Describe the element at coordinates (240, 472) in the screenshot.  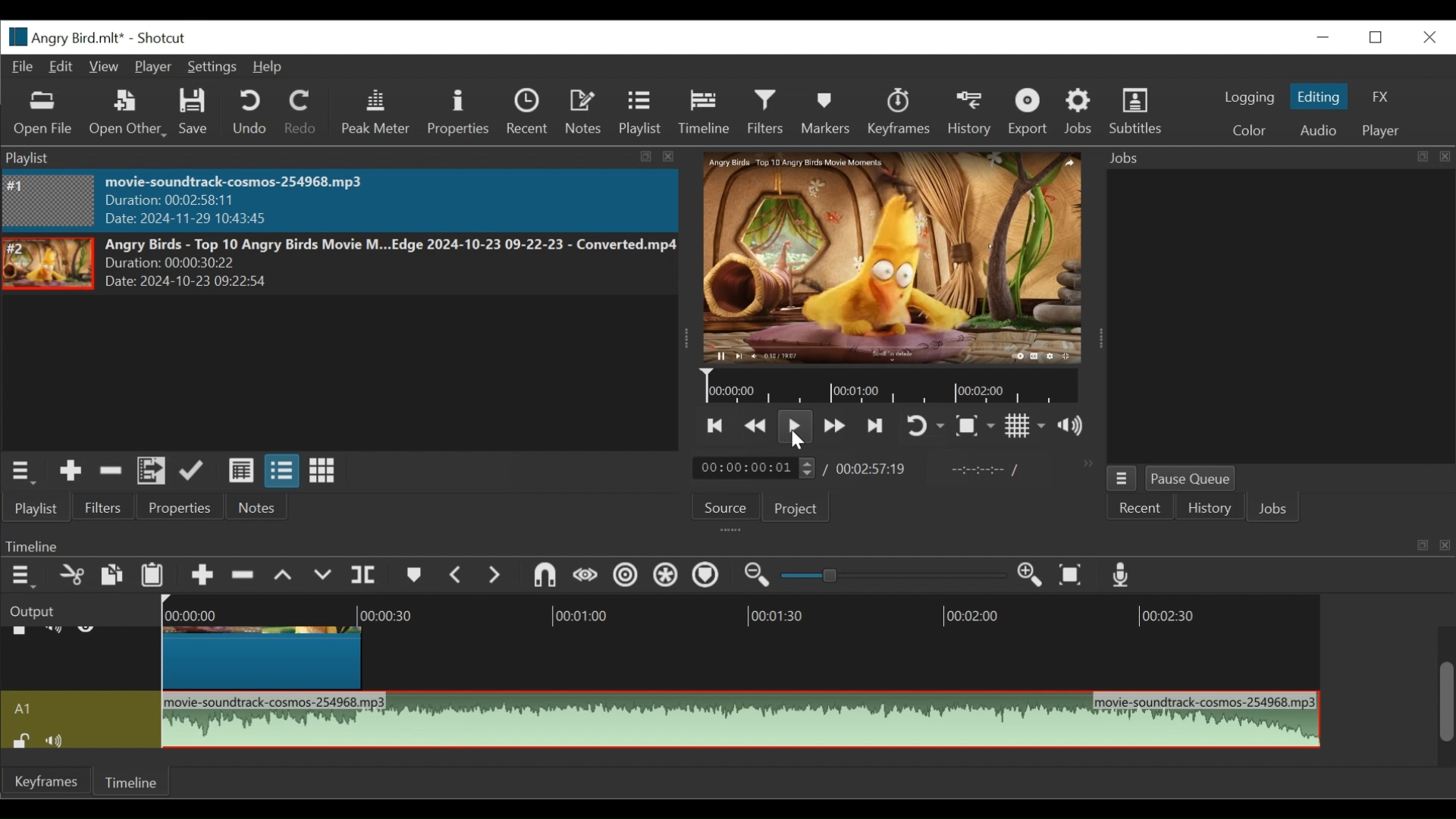
I see `View as details` at that location.